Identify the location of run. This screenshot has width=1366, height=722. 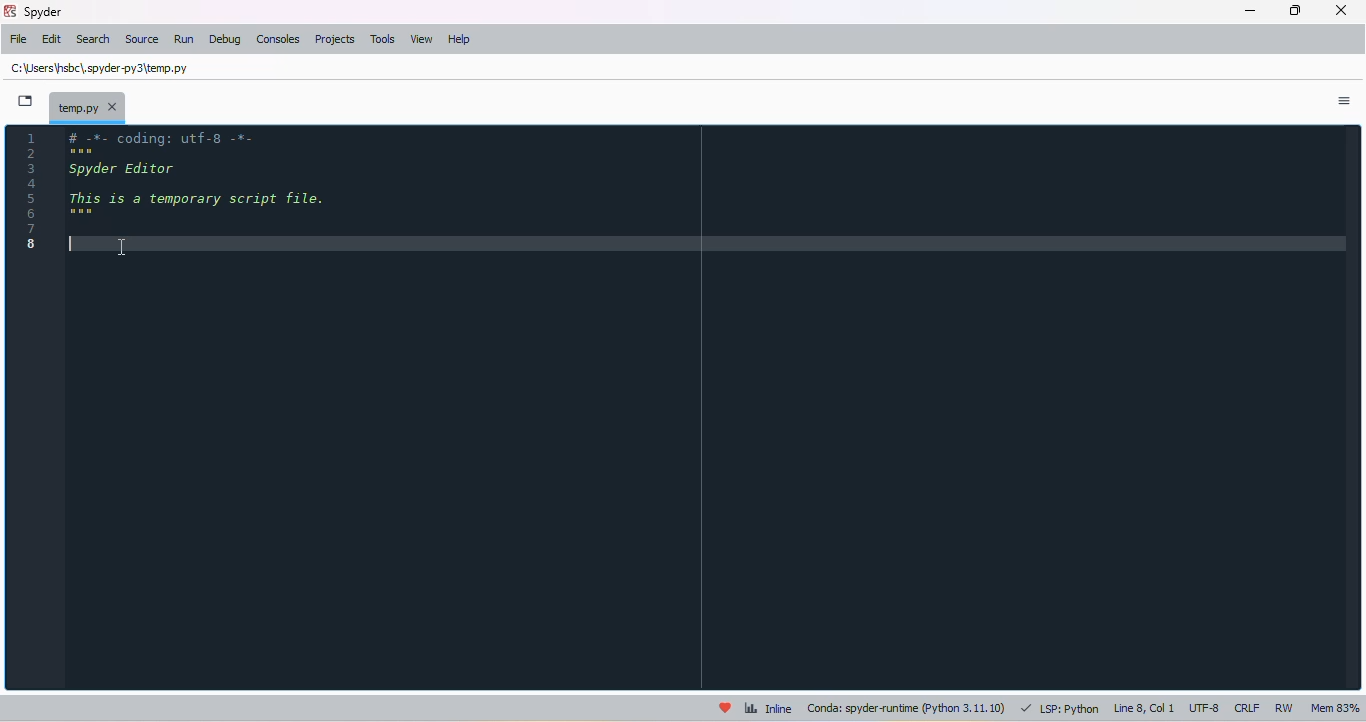
(184, 39).